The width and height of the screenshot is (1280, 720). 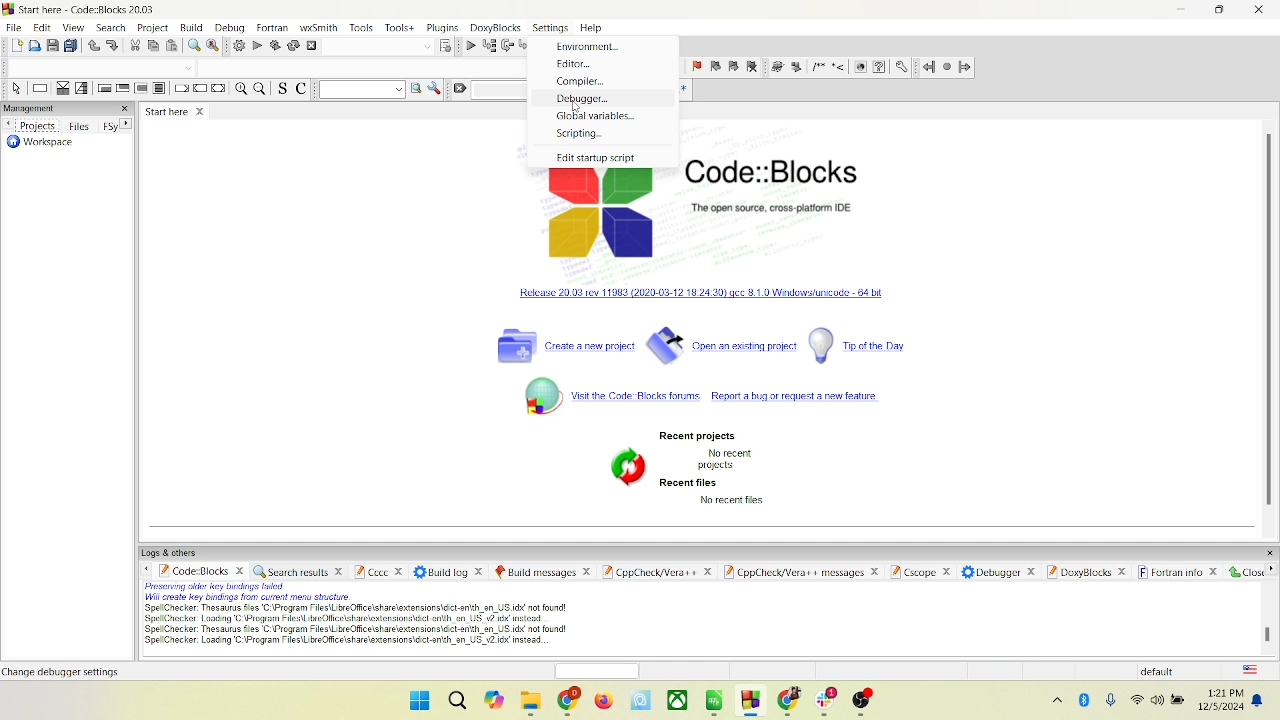 I want to click on cscope, so click(x=925, y=574).